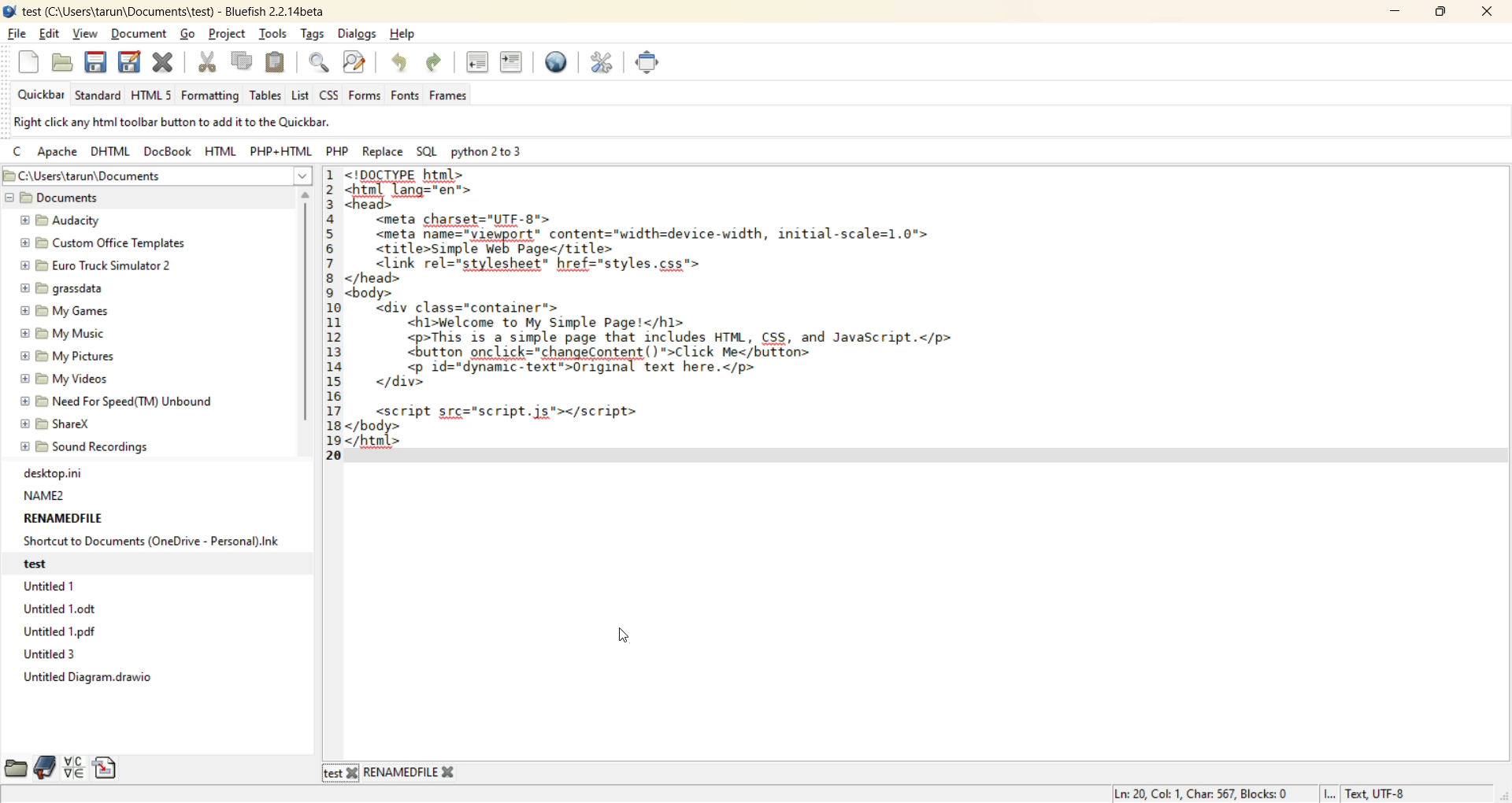 The image size is (1512, 803). I want to click on new, so click(28, 63).